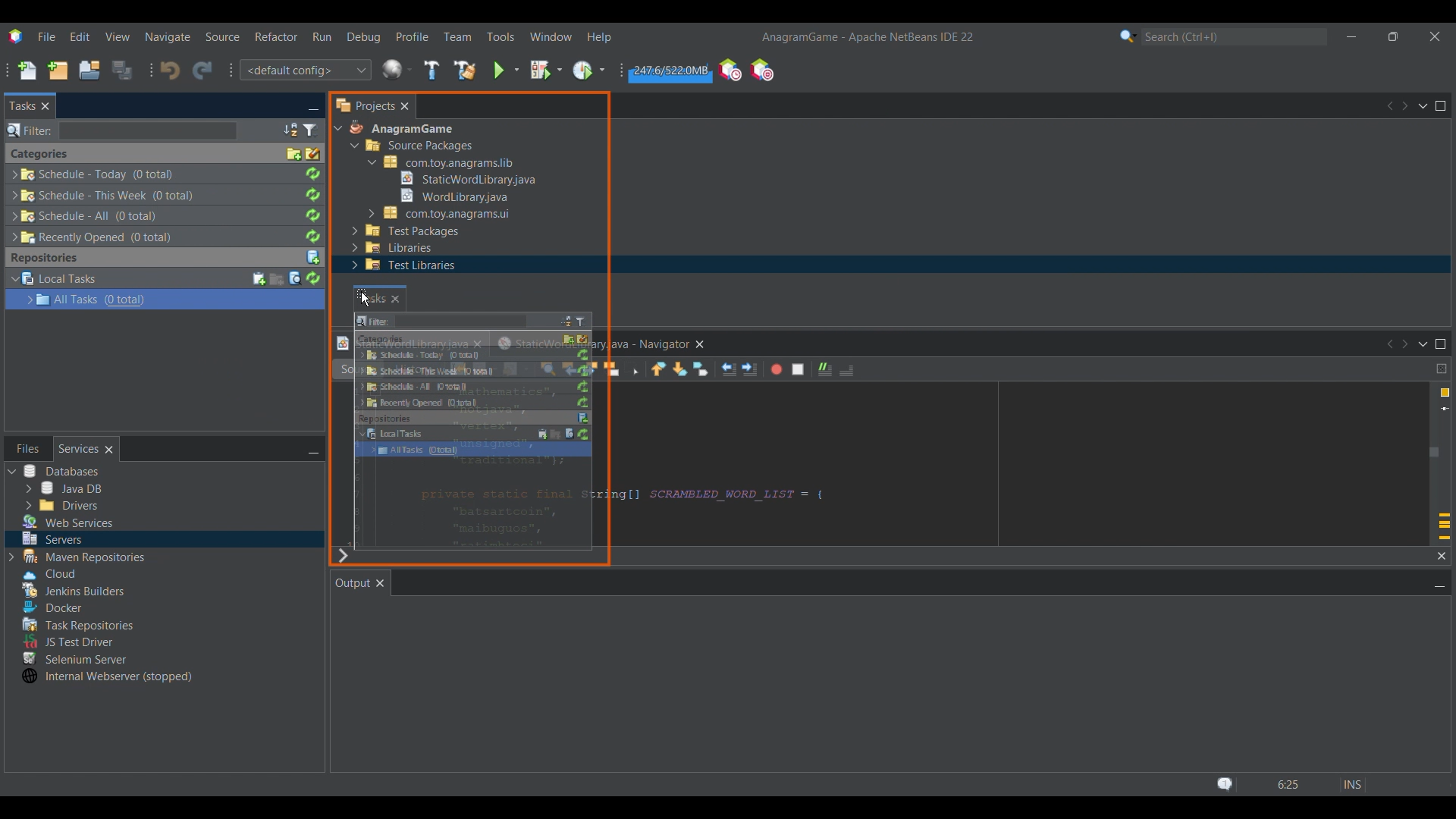 The image size is (1456, 819). I want to click on Debug menu, so click(362, 37).